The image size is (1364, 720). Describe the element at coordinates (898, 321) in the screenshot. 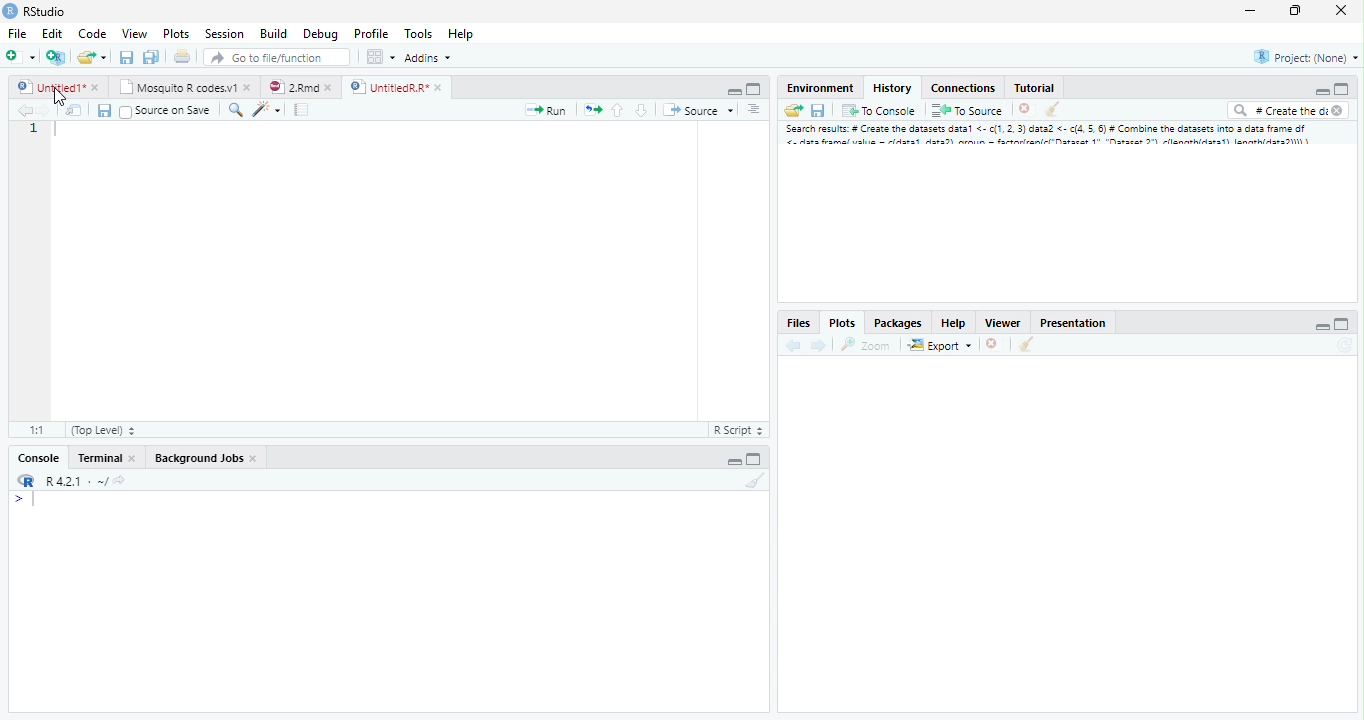

I see `Packages` at that location.